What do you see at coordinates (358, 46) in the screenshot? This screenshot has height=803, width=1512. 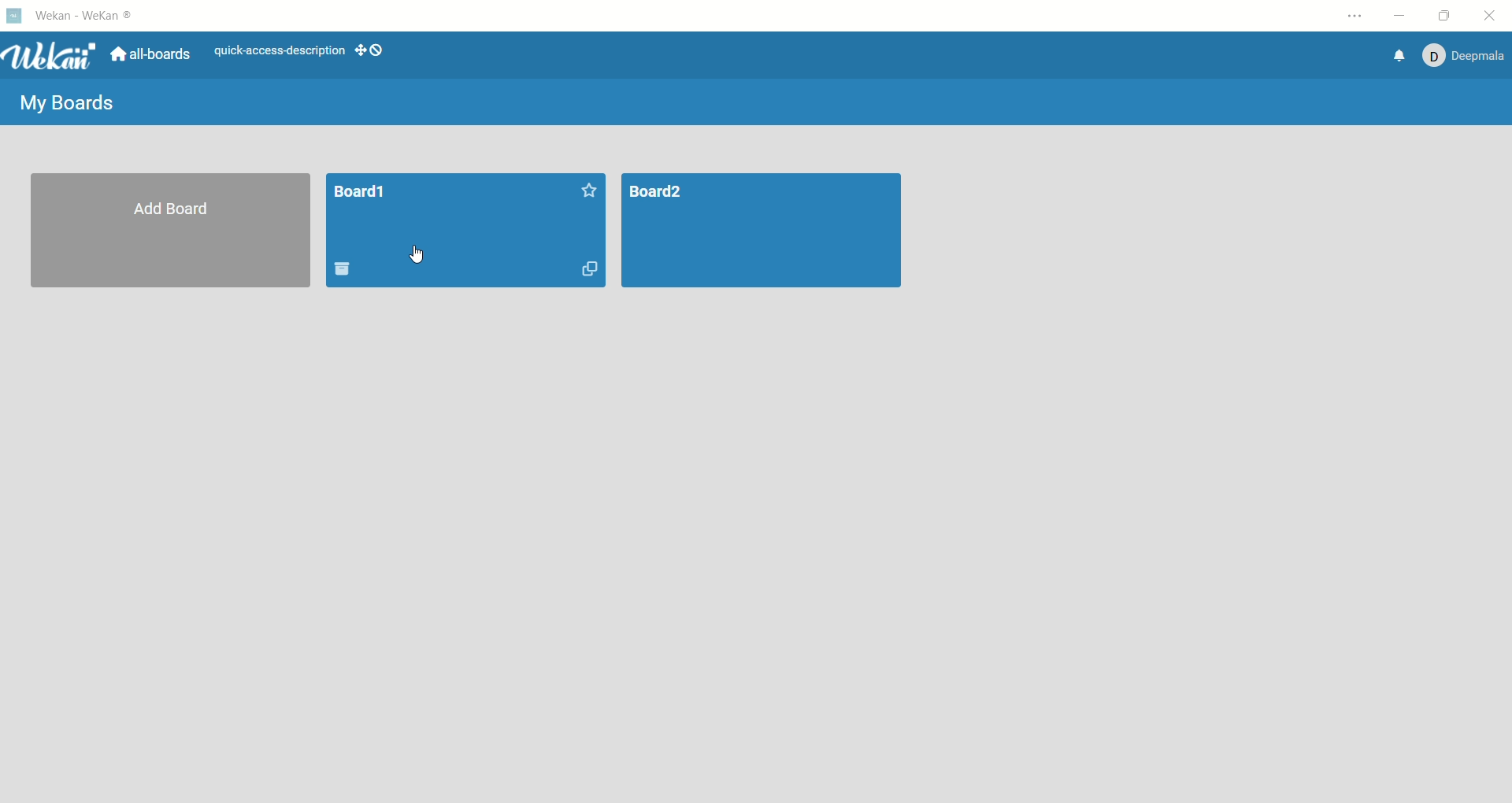 I see `show-desktop-drag-handles` at bounding box center [358, 46].